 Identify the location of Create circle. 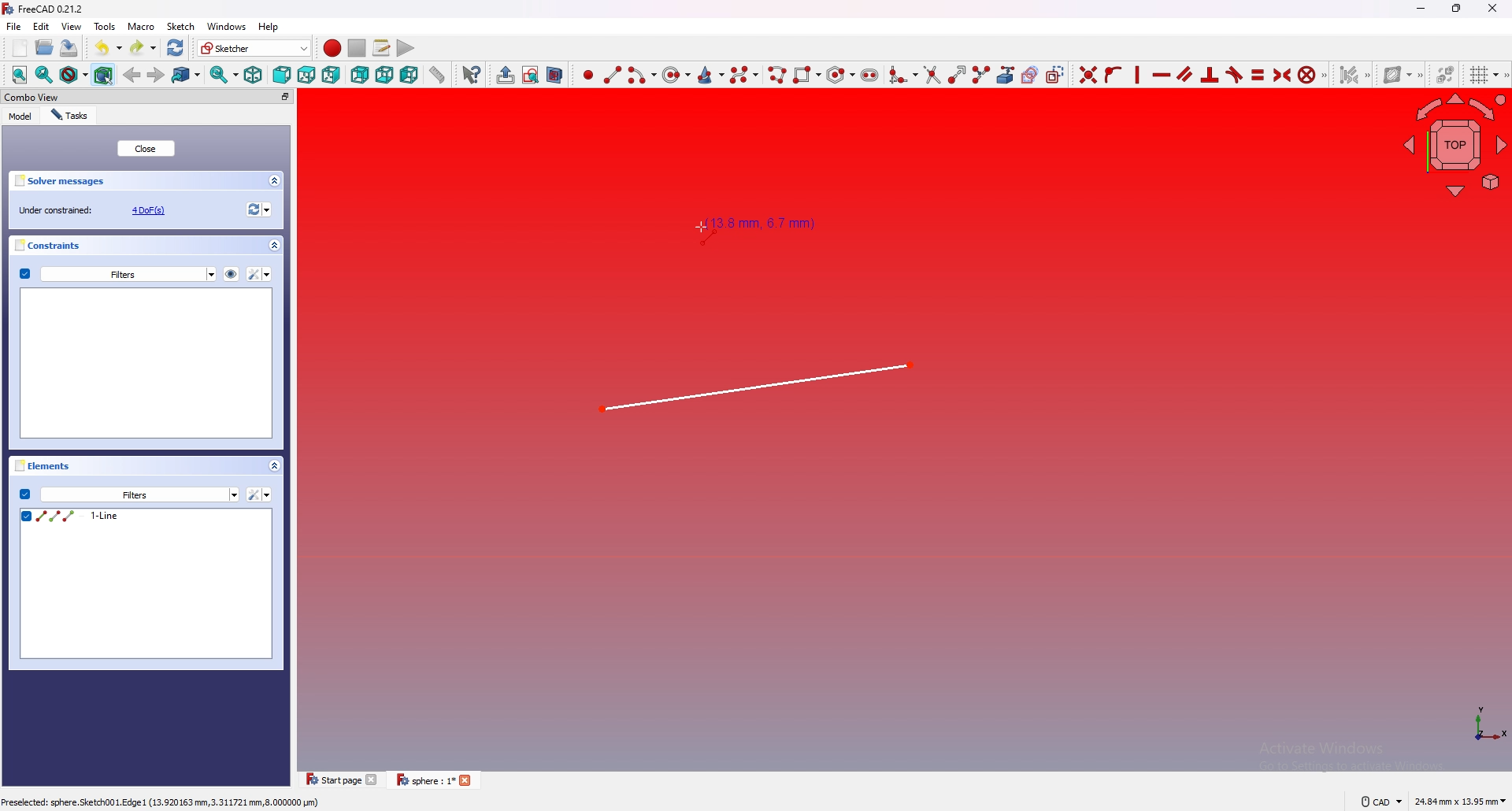
(676, 75).